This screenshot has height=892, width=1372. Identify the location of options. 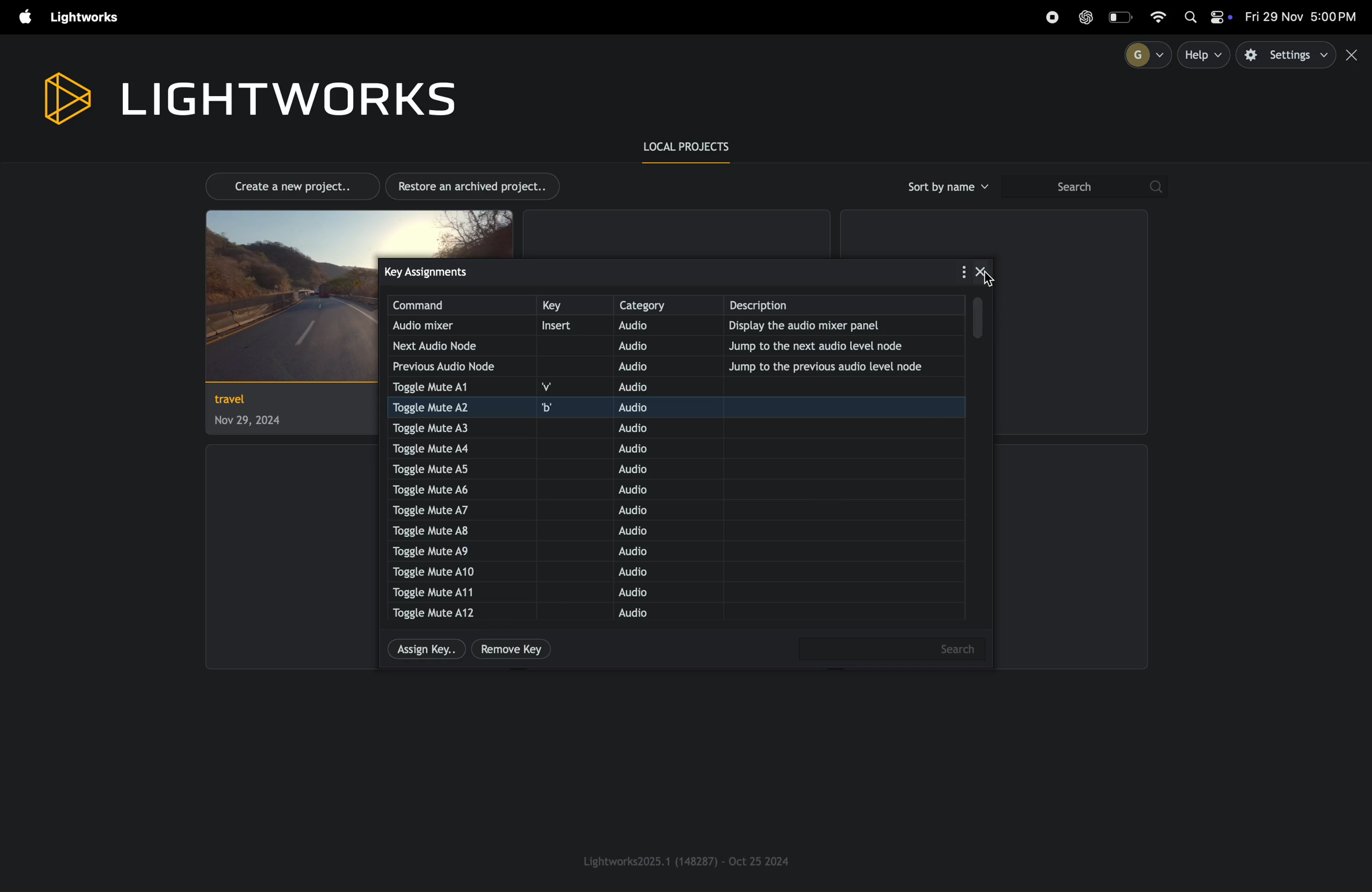
(956, 272).